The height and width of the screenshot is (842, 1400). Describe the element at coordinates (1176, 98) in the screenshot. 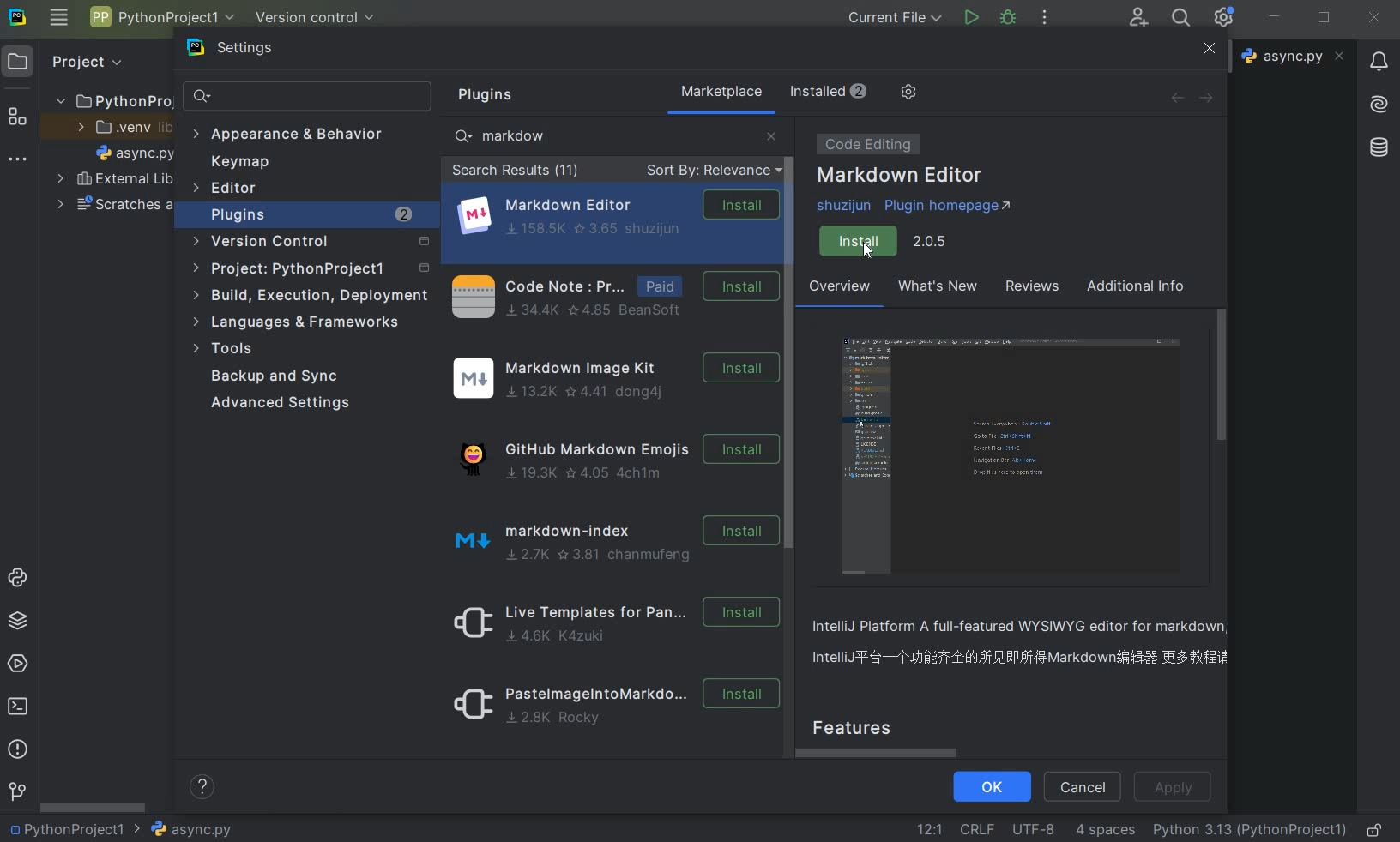

I see `back` at that location.